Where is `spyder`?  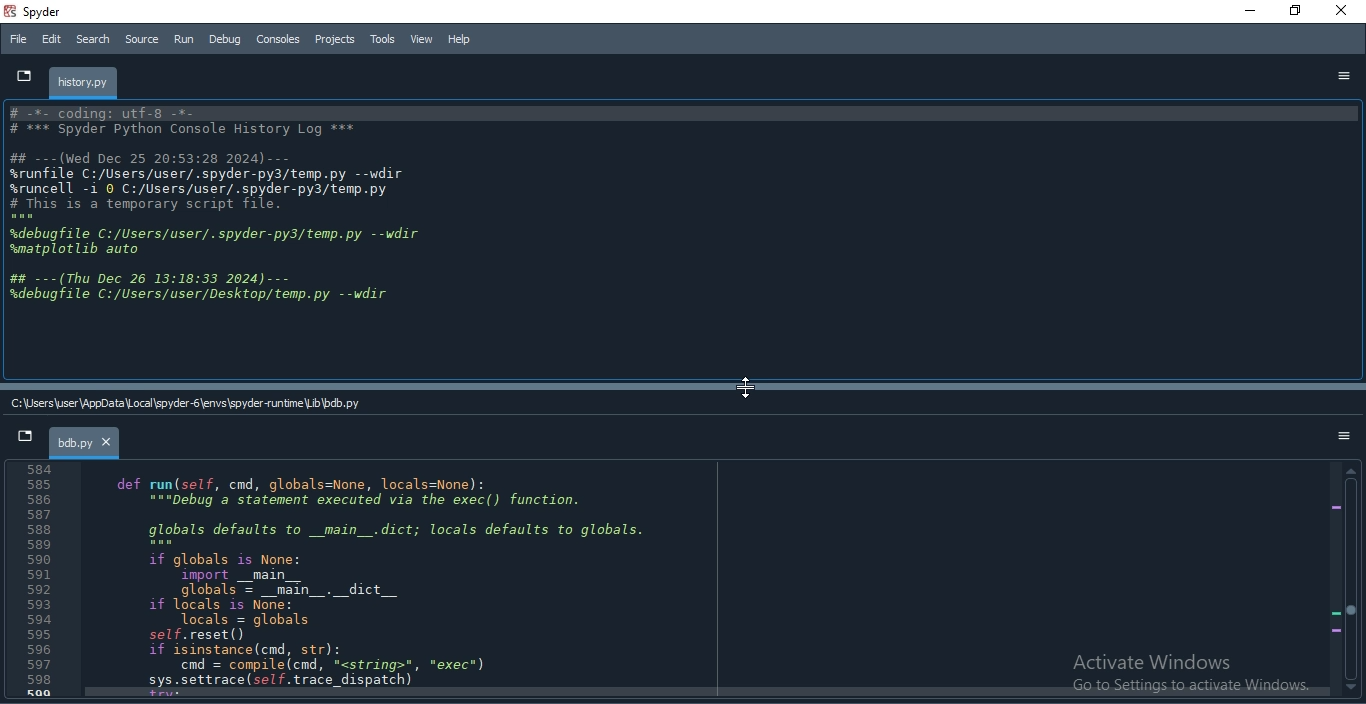 spyder is located at coordinates (50, 11).